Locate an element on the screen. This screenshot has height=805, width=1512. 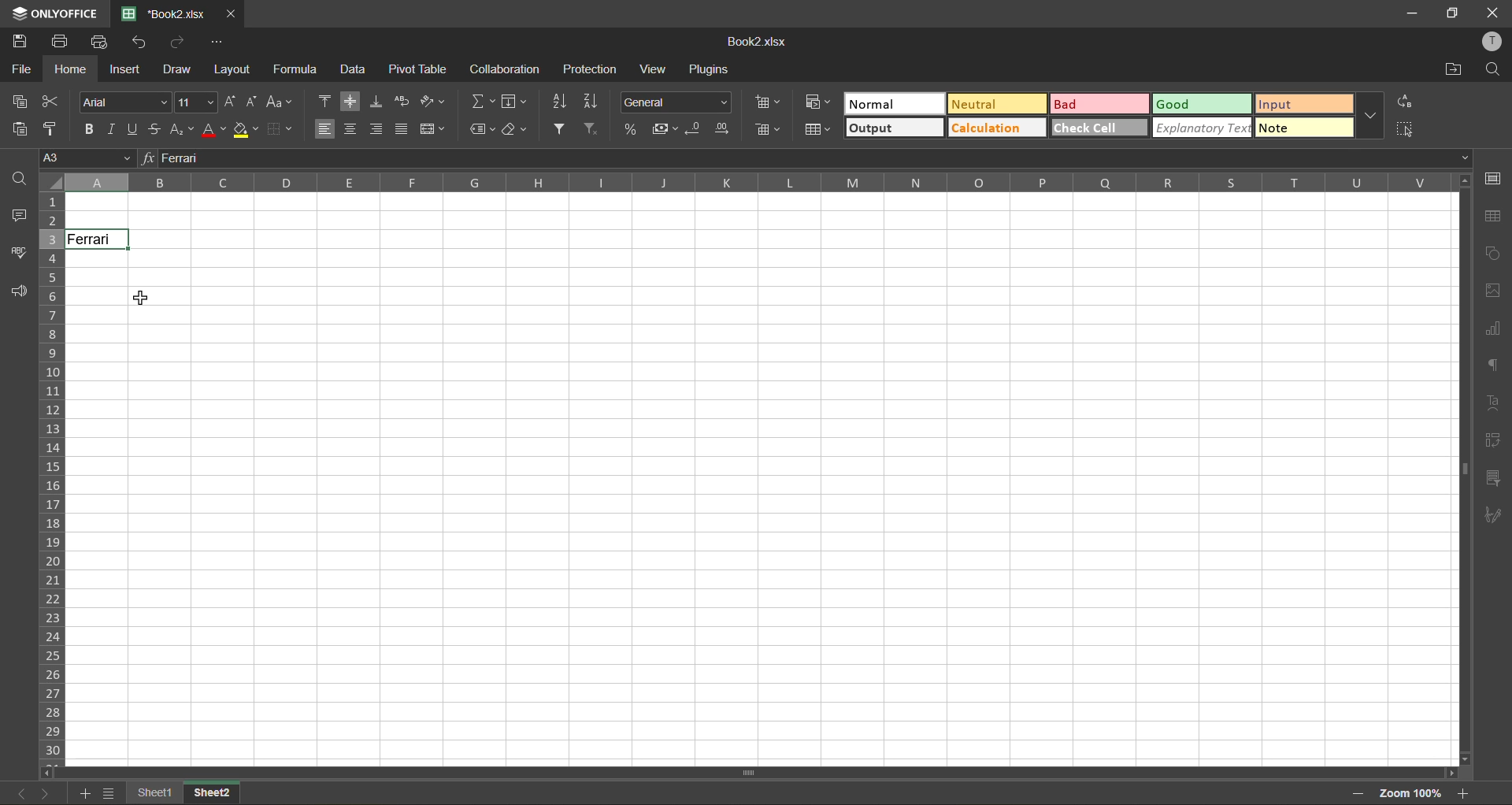
all borders is located at coordinates (311, 184).